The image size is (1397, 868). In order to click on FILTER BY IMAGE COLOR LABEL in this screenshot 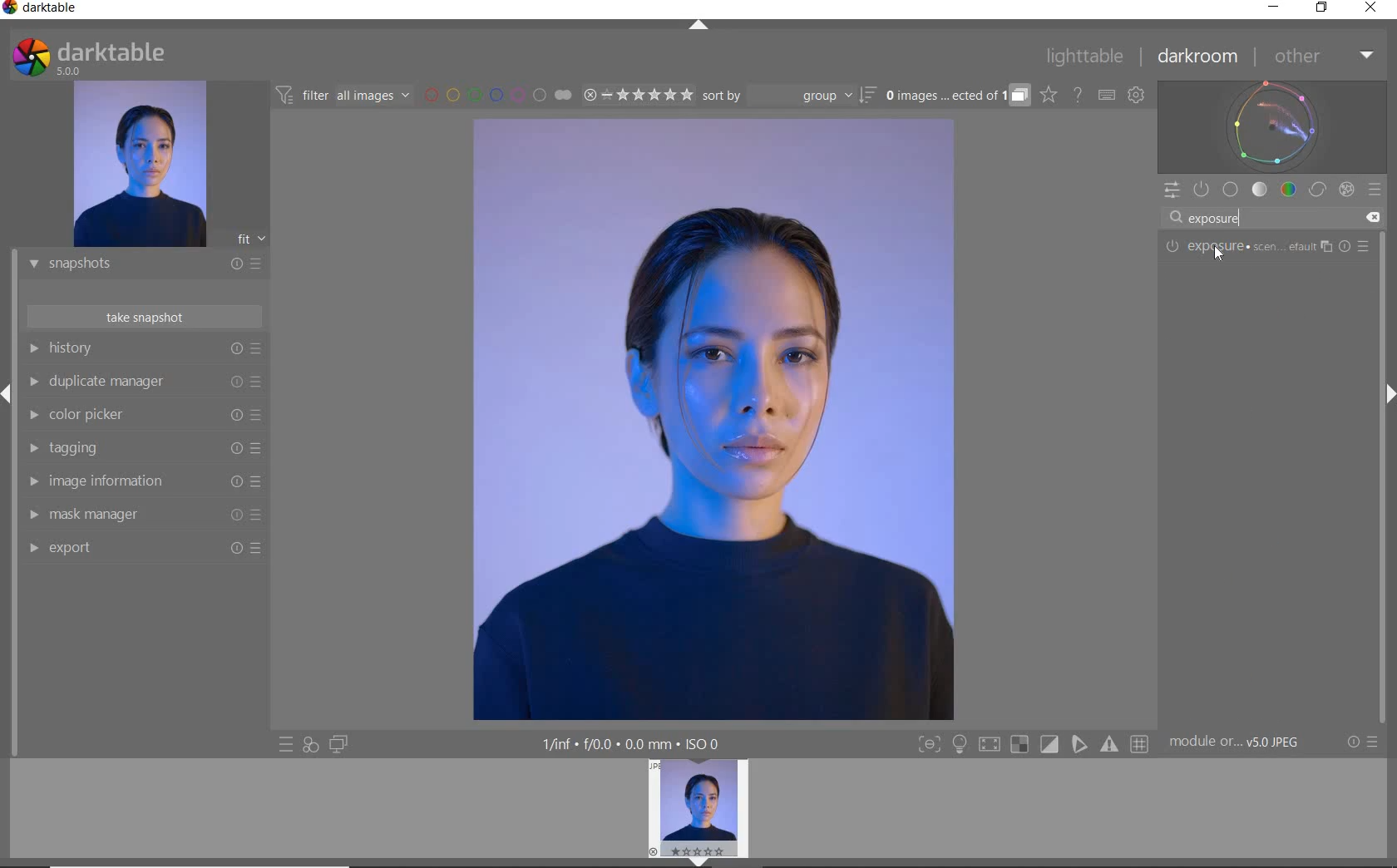, I will do `click(498, 94)`.